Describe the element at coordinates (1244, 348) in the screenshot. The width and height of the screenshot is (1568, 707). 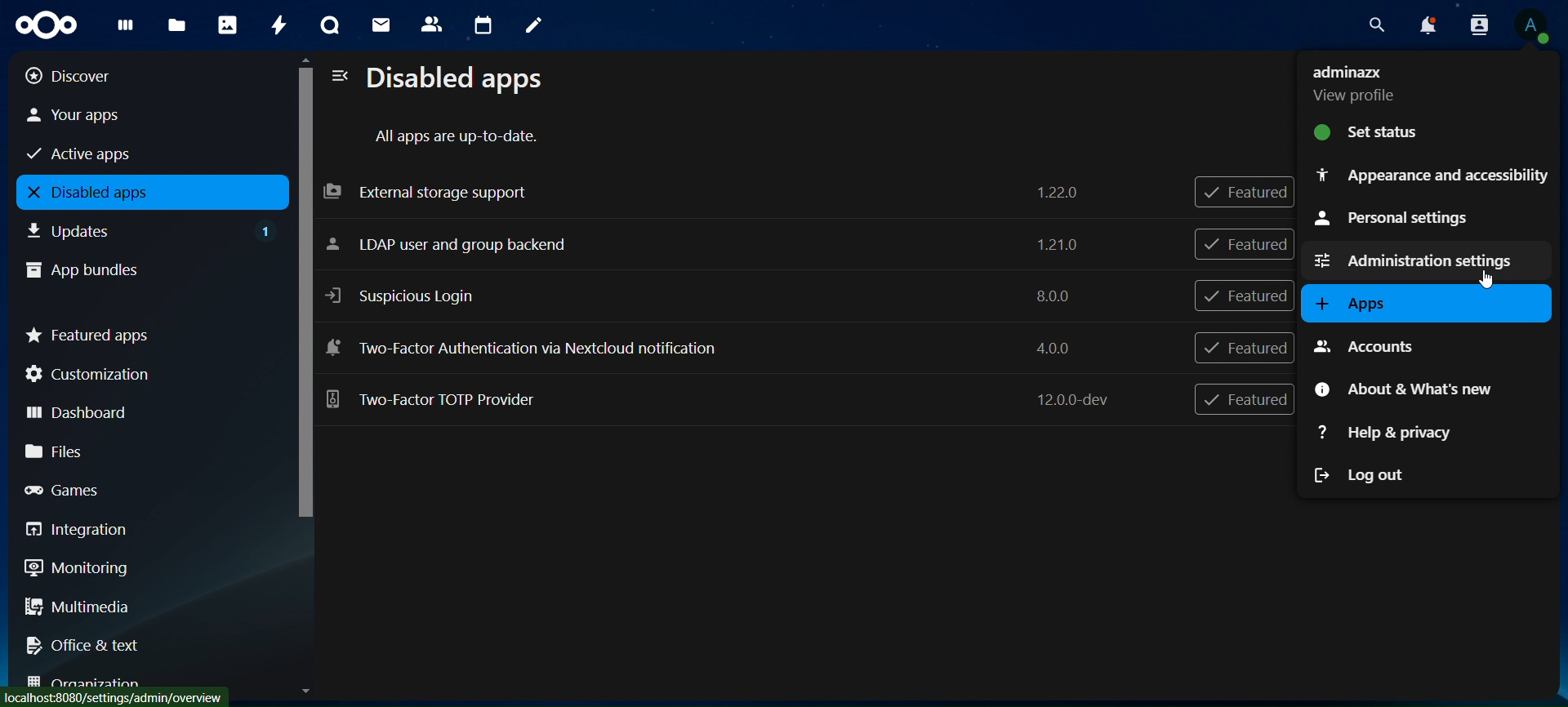
I see `featured` at that location.